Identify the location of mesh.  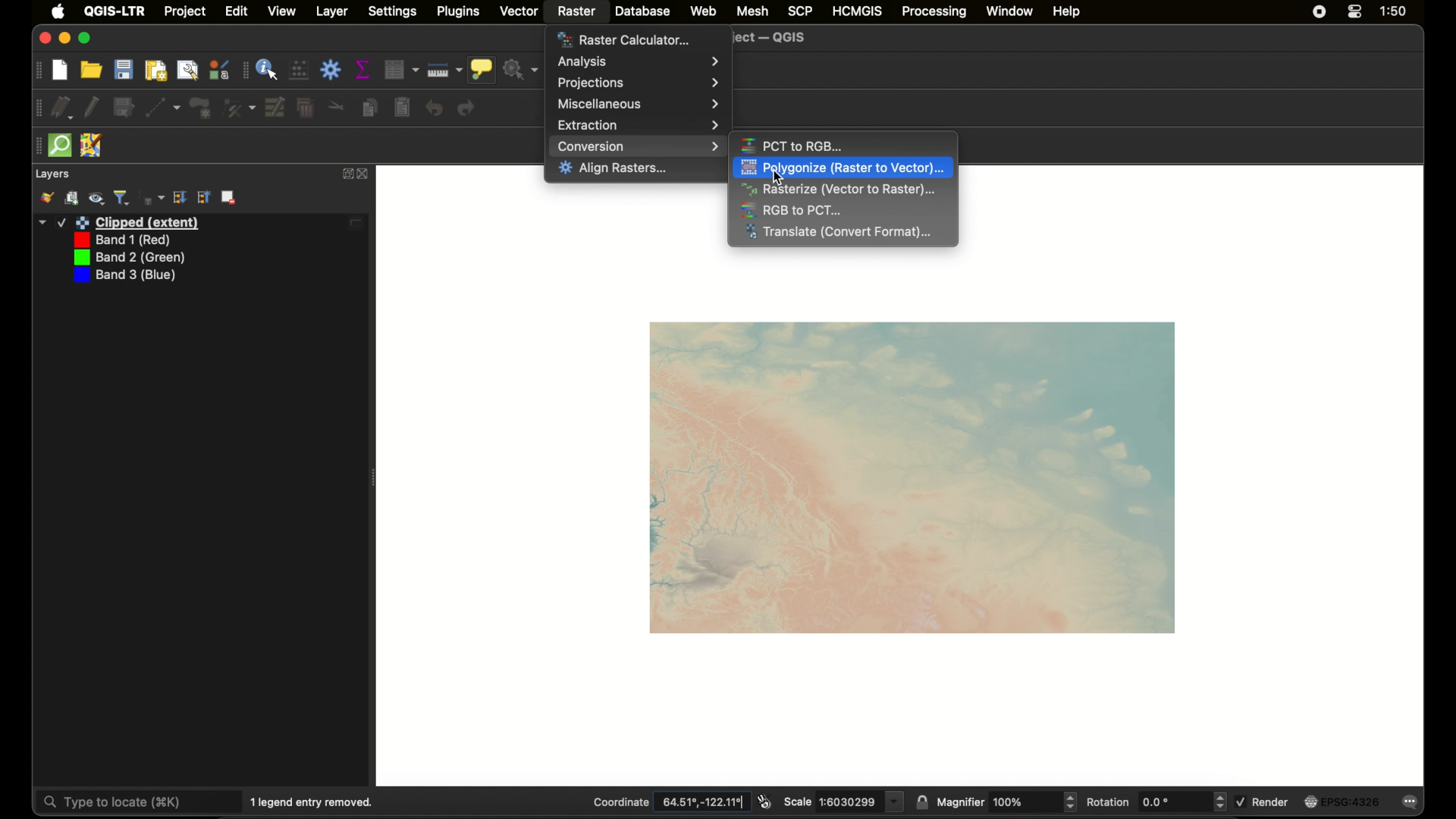
(752, 11).